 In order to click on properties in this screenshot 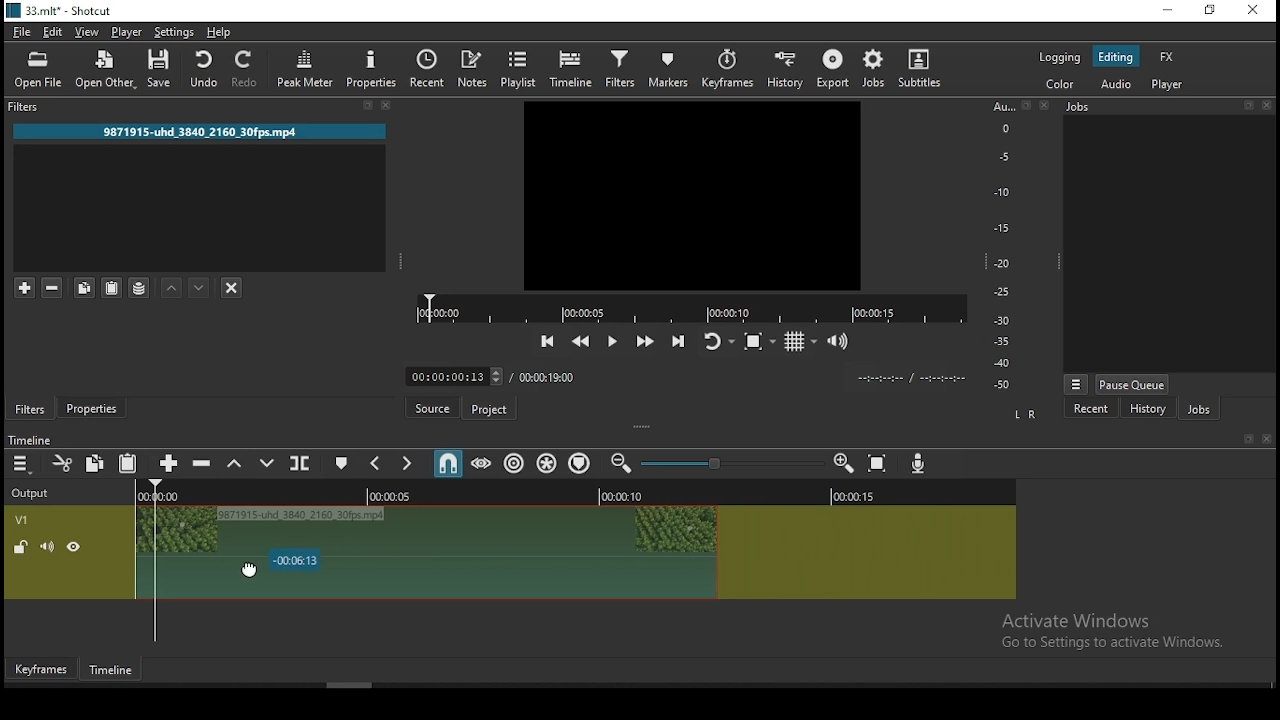, I will do `click(373, 70)`.